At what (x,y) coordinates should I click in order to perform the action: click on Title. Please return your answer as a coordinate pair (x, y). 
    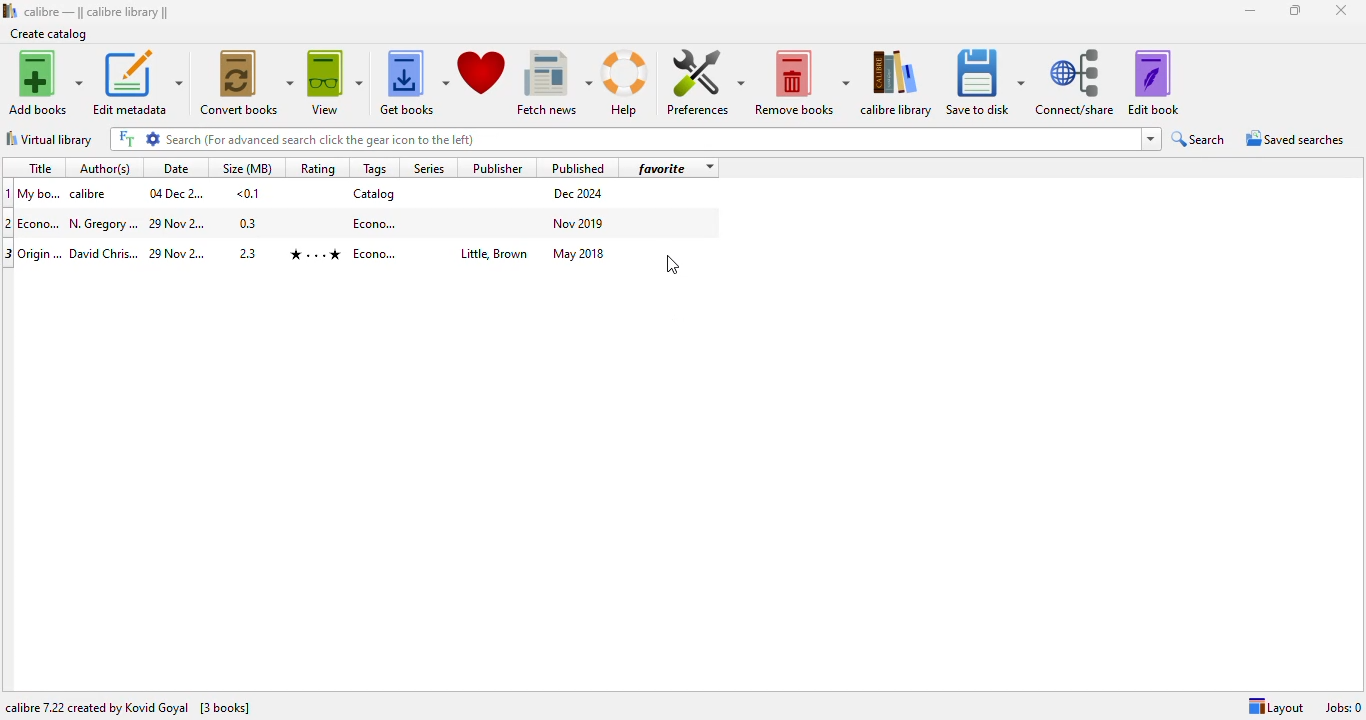
    Looking at the image, I should click on (40, 193).